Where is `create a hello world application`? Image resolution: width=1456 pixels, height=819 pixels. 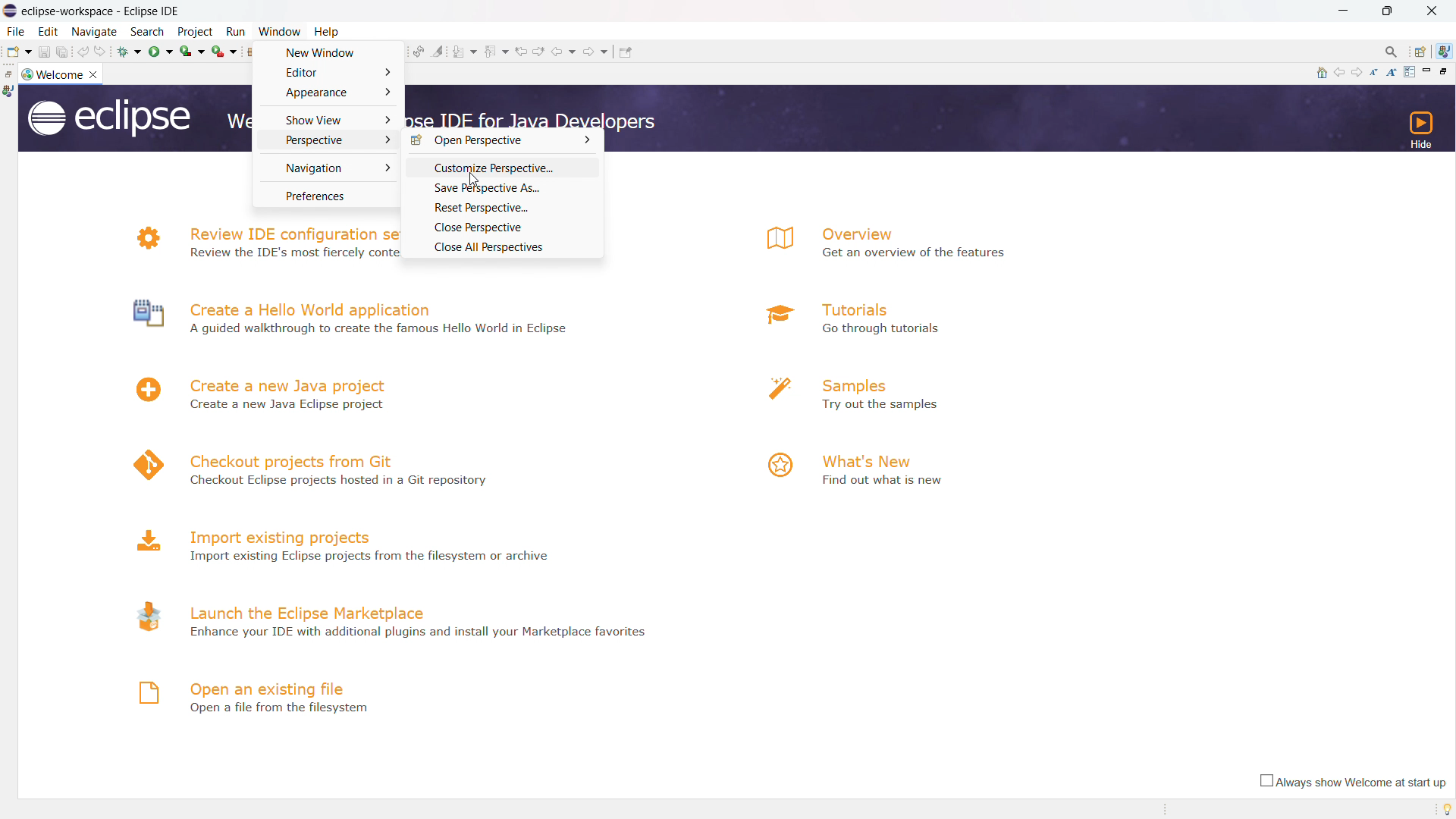
create a hello world application is located at coordinates (314, 309).